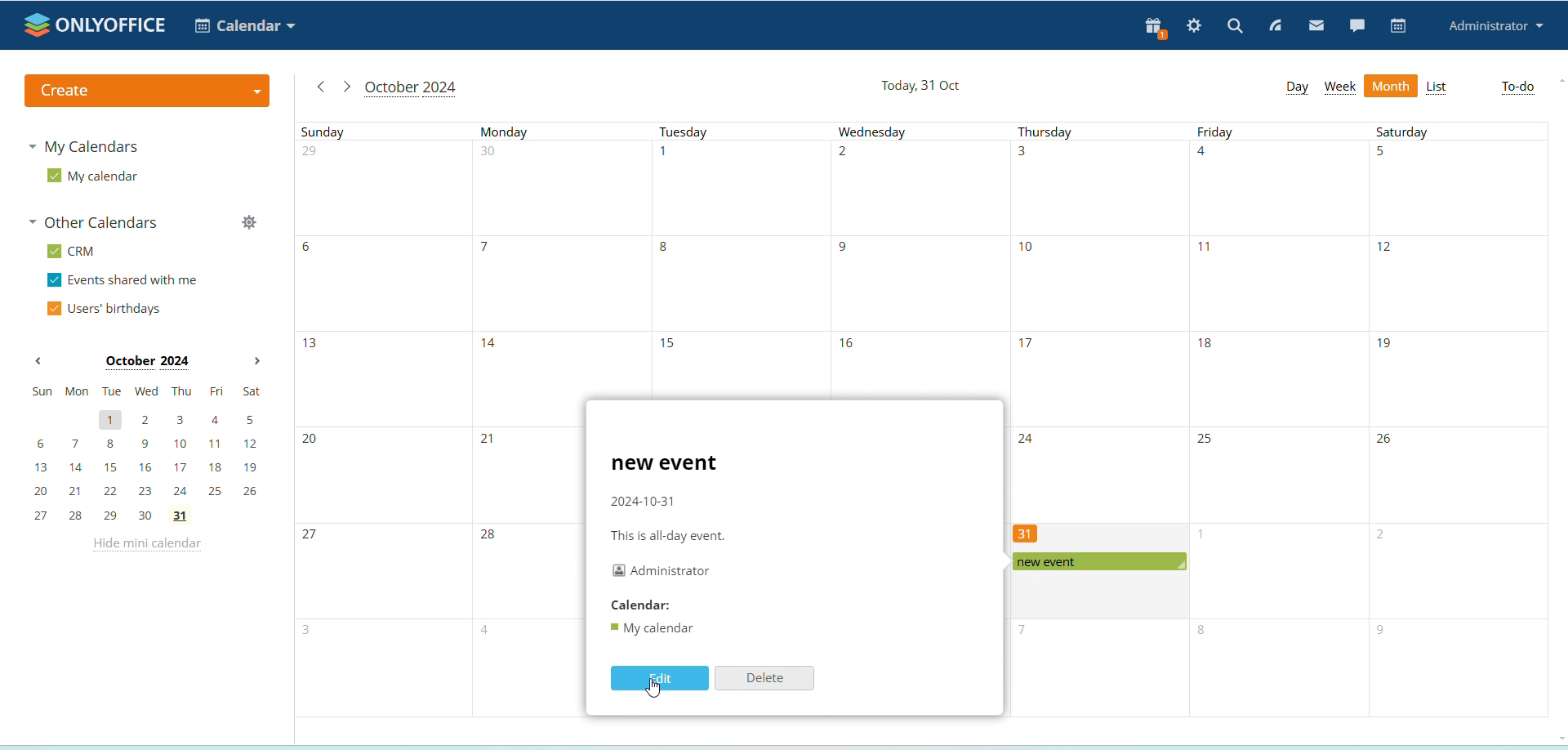  What do you see at coordinates (1296, 87) in the screenshot?
I see `day view` at bounding box center [1296, 87].